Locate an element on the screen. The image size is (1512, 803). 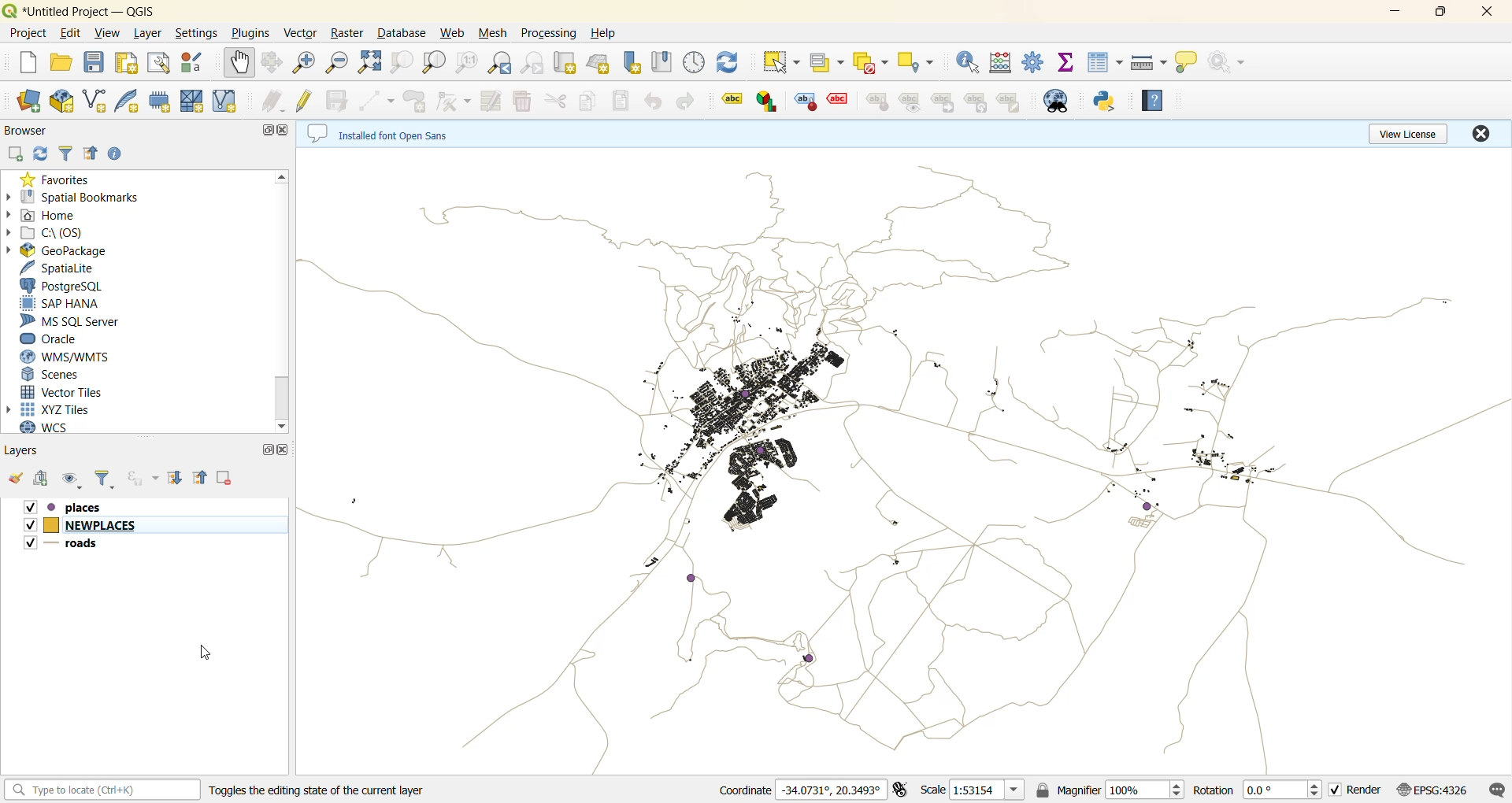
zoom out is located at coordinates (339, 63).